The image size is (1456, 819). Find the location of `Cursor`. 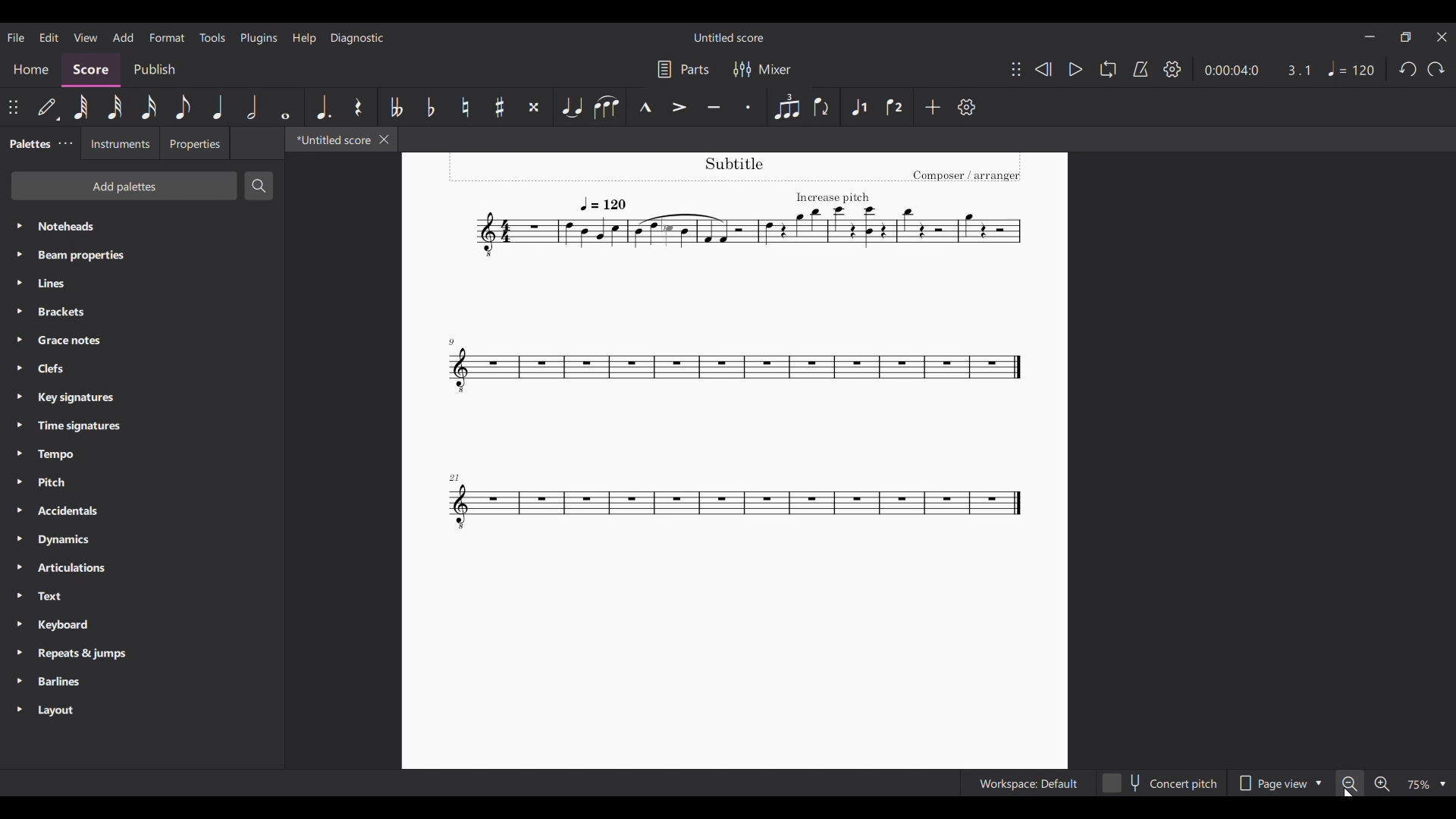

Cursor is located at coordinates (1349, 791).